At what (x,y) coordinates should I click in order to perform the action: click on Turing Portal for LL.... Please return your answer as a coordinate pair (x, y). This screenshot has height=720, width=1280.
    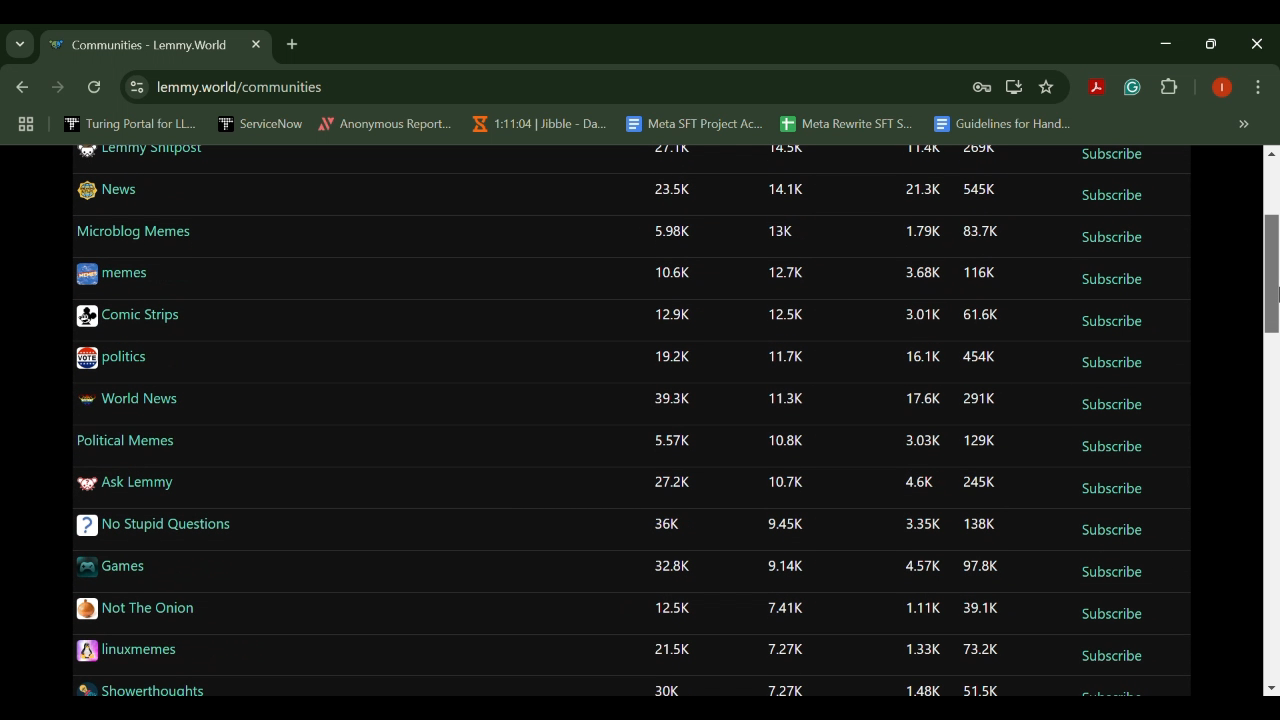
    Looking at the image, I should click on (130, 126).